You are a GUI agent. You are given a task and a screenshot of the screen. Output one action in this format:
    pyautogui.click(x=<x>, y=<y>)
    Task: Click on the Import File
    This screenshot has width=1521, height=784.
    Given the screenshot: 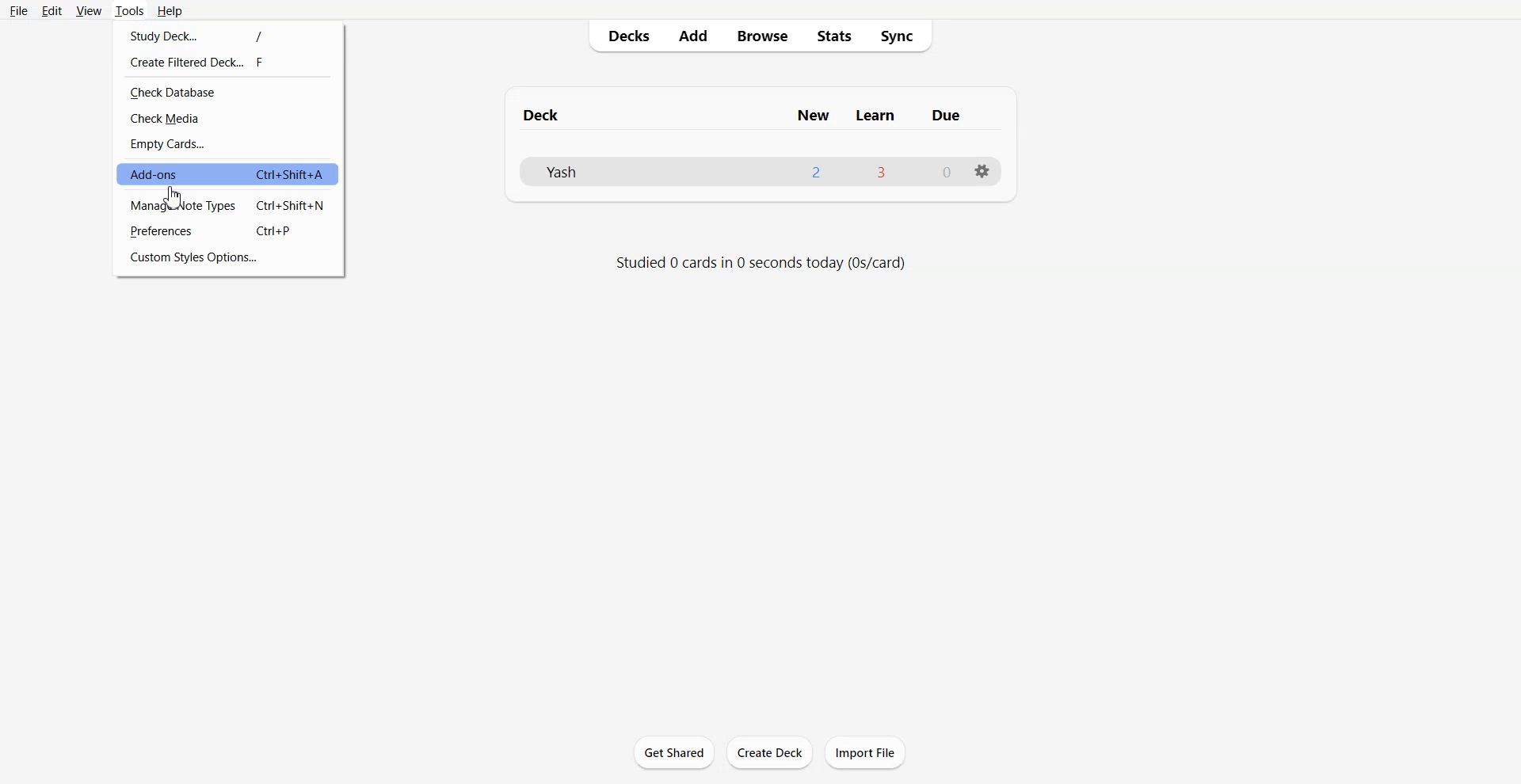 What is the action you would take?
    pyautogui.click(x=866, y=752)
    